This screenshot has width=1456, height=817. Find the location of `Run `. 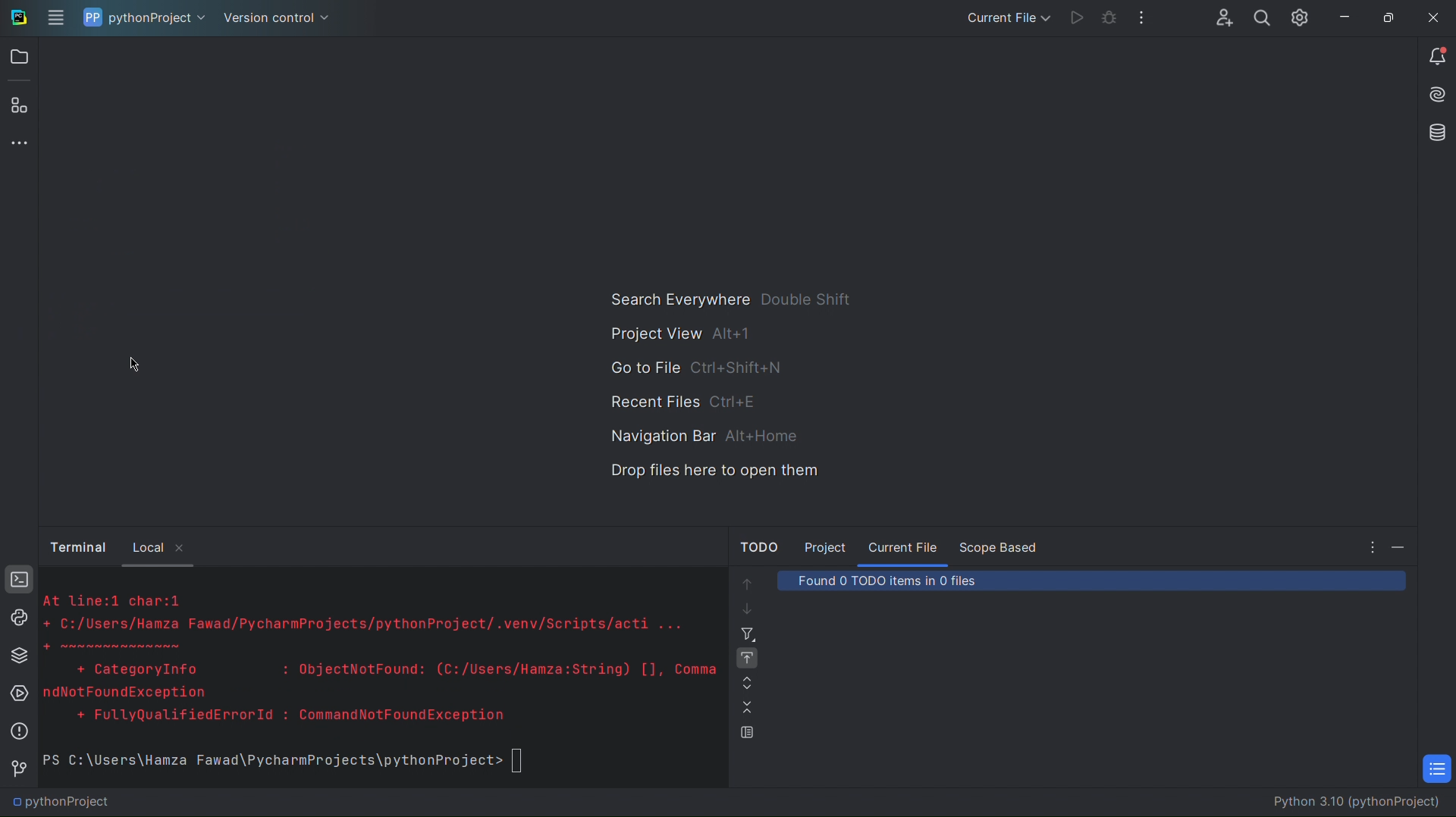

Run  is located at coordinates (1071, 18).